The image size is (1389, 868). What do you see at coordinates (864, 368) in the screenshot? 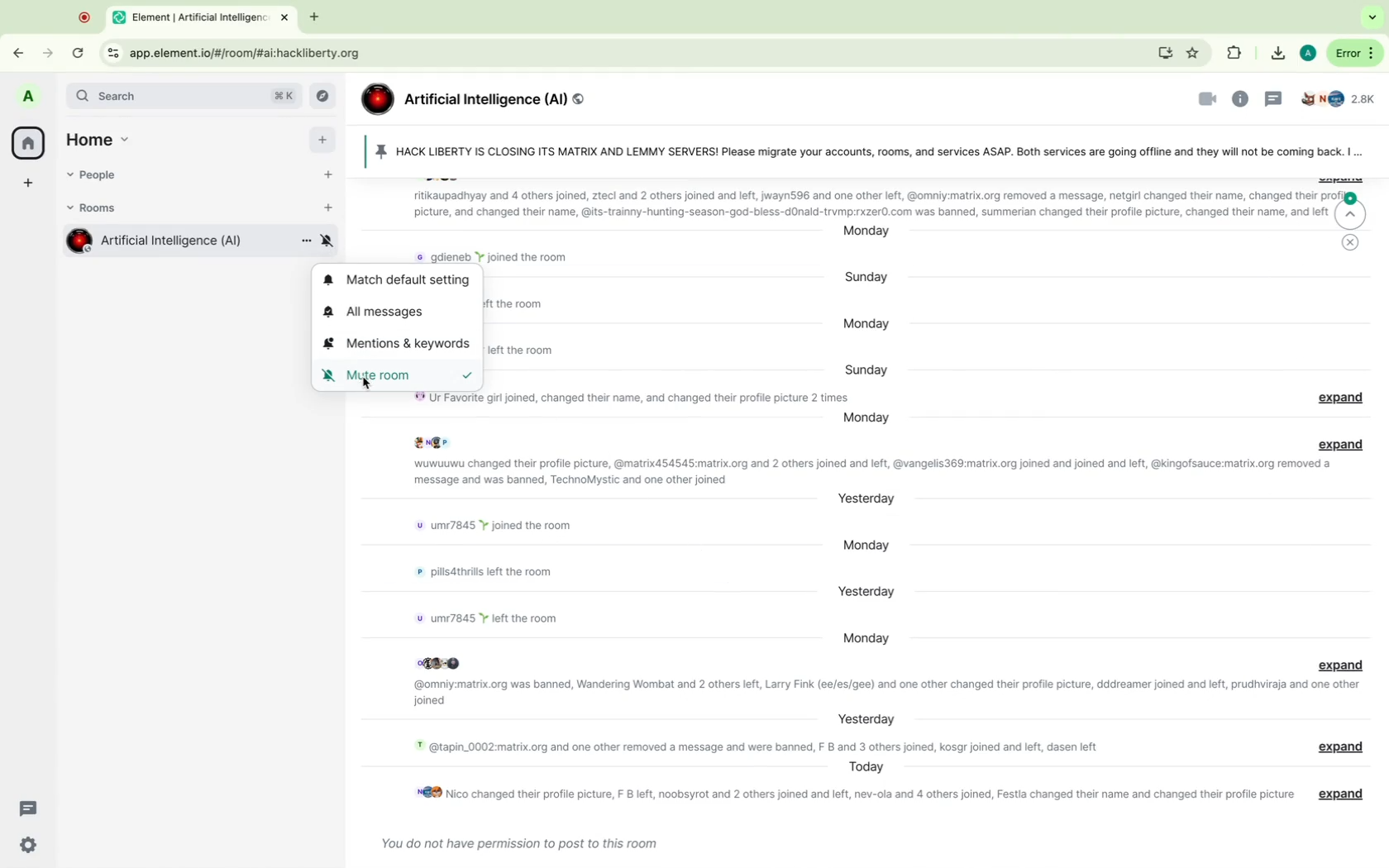
I see `day` at bounding box center [864, 368].